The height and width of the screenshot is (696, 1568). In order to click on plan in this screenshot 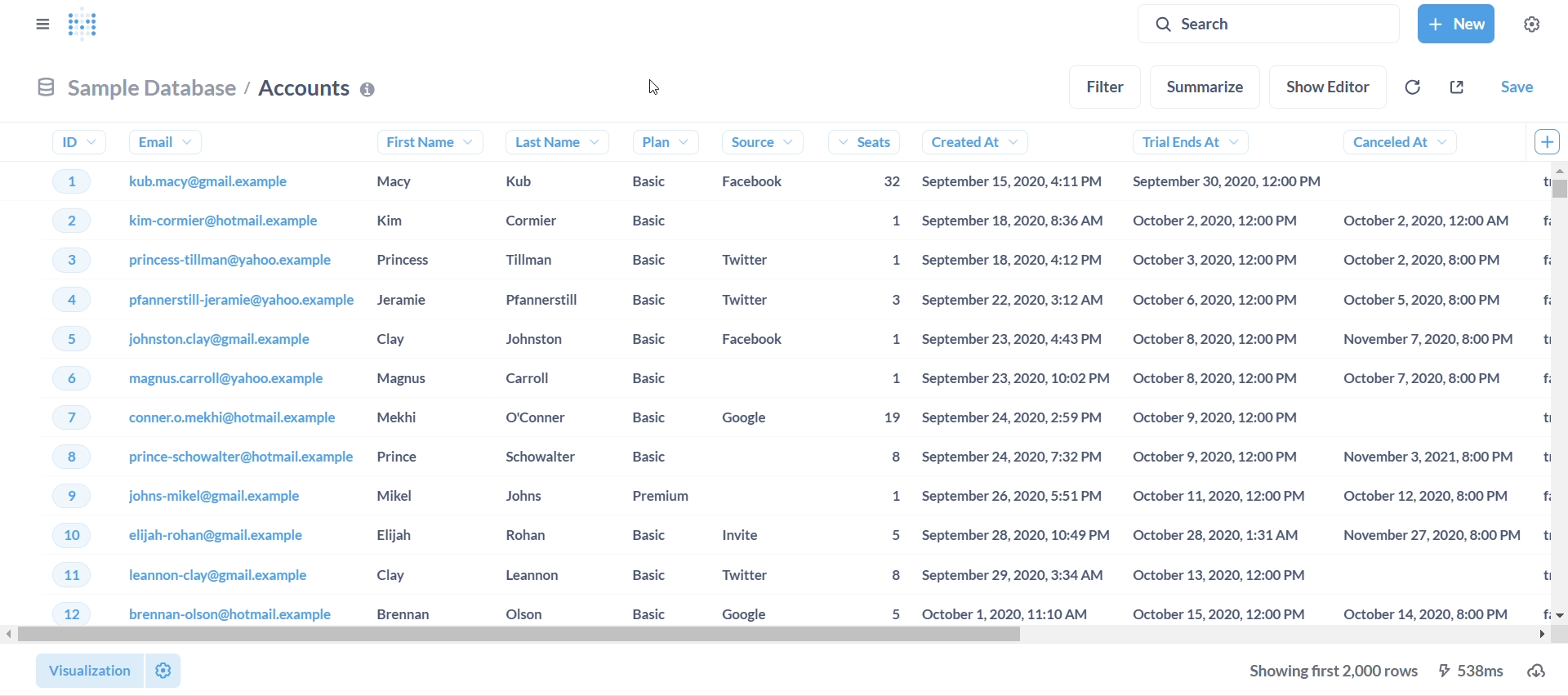, I will do `click(659, 373)`.